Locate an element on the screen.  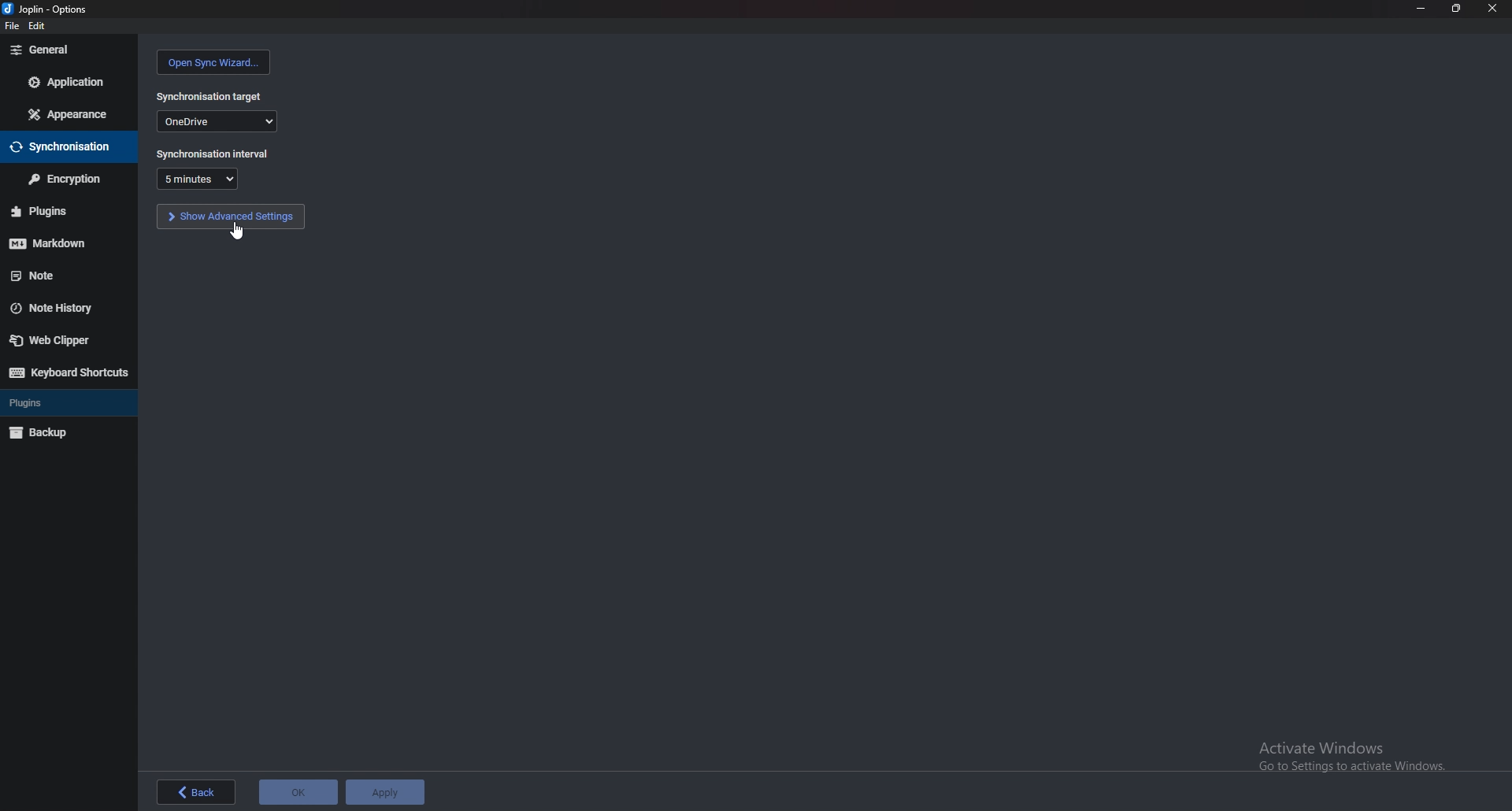
resize is located at coordinates (1458, 9).